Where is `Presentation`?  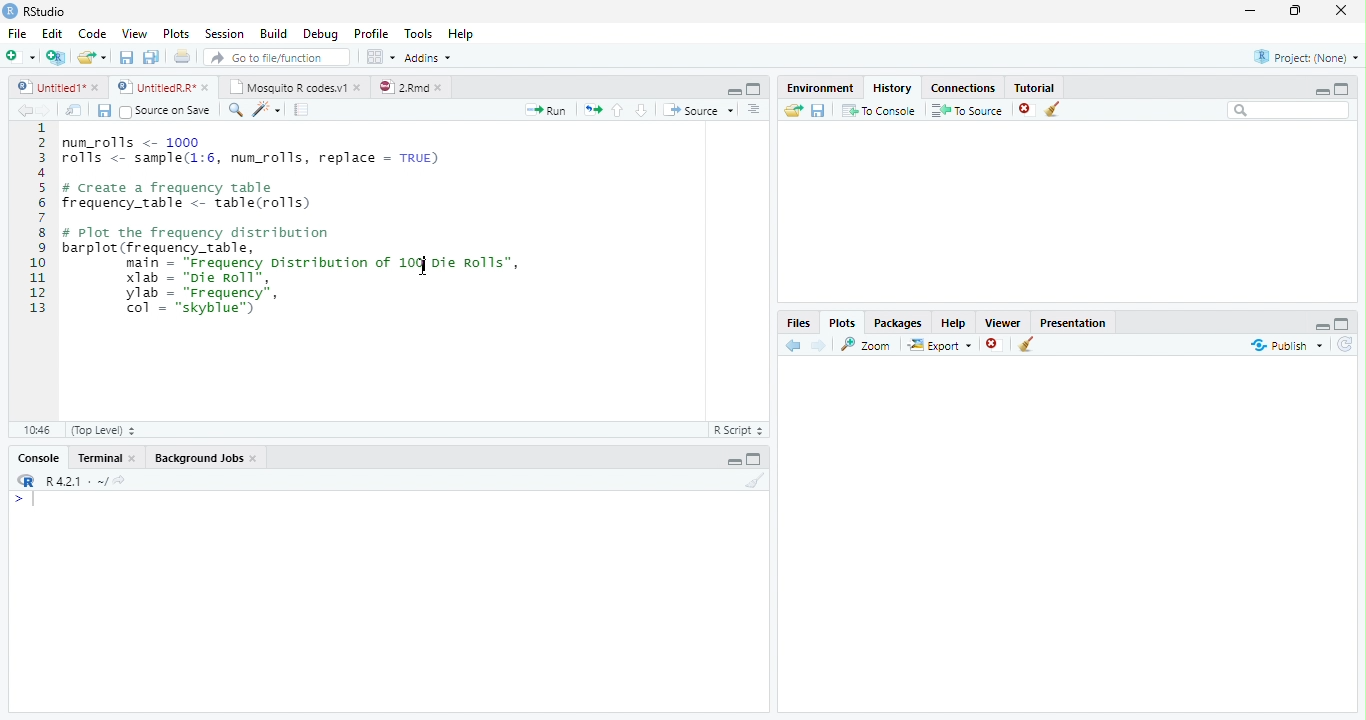
Presentation is located at coordinates (1073, 322).